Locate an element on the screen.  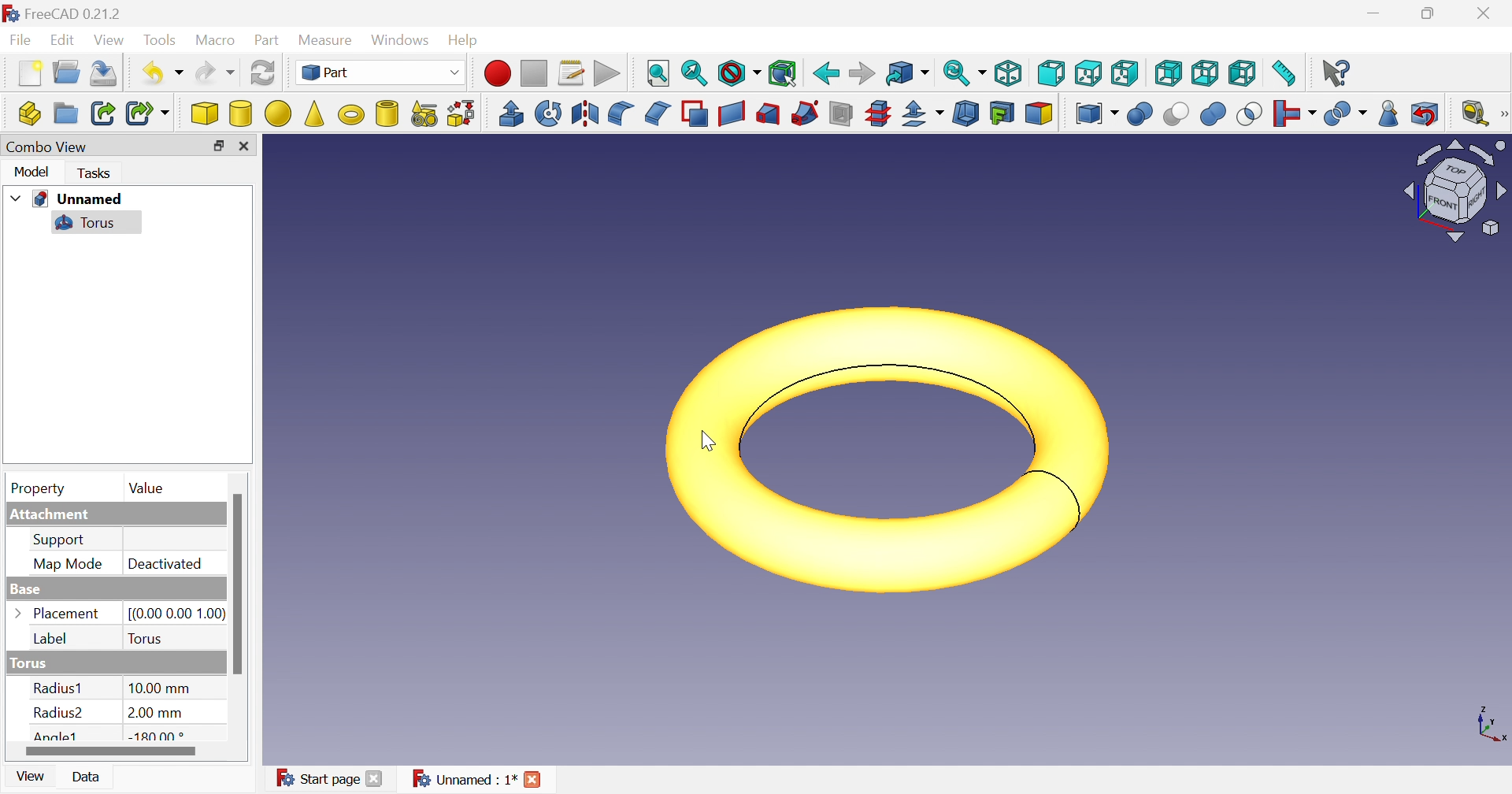
Close is located at coordinates (244, 144).